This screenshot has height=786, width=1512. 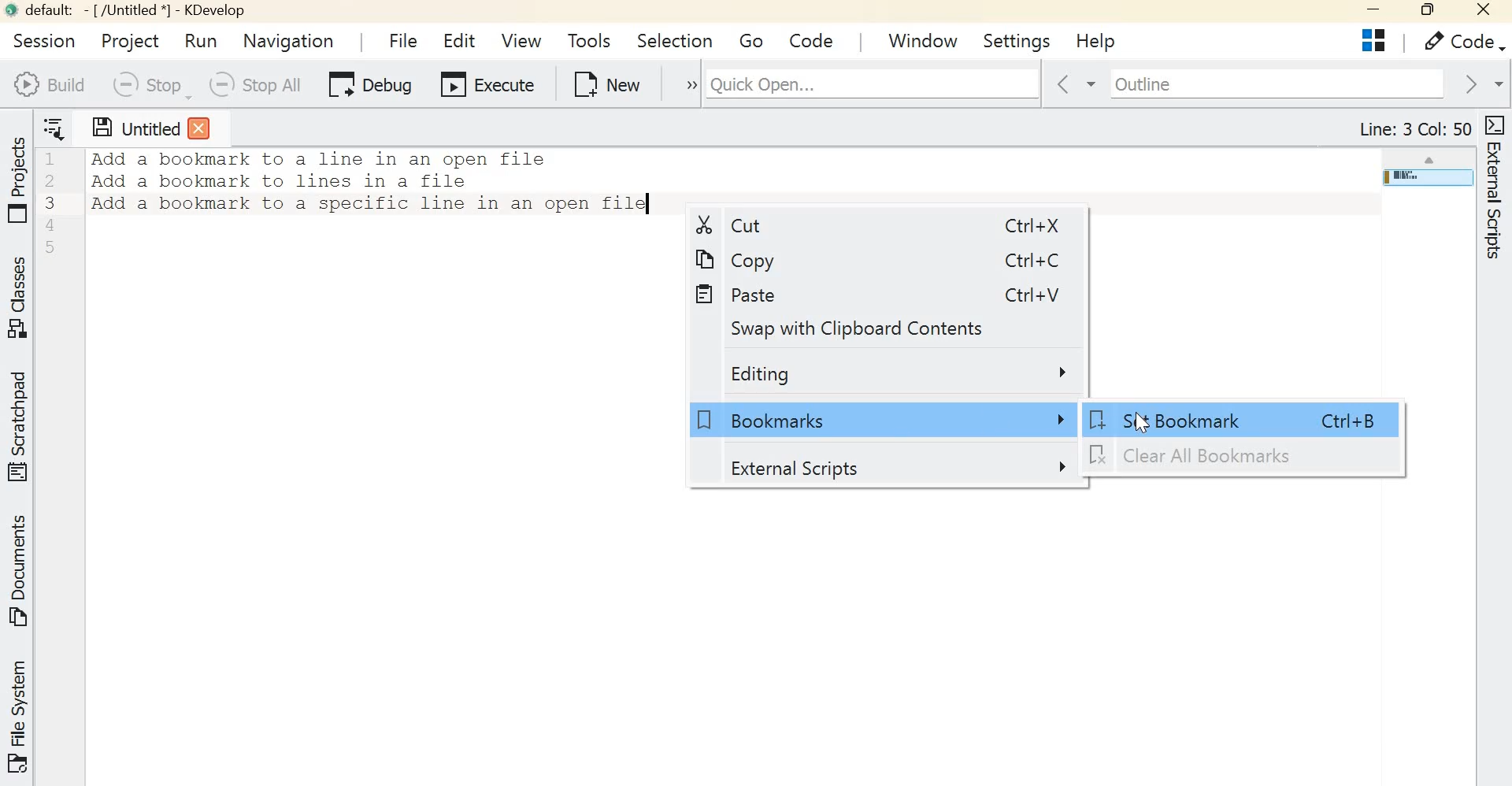 What do you see at coordinates (604, 82) in the screenshot?
I see `New` at bounding box center [604, 82].